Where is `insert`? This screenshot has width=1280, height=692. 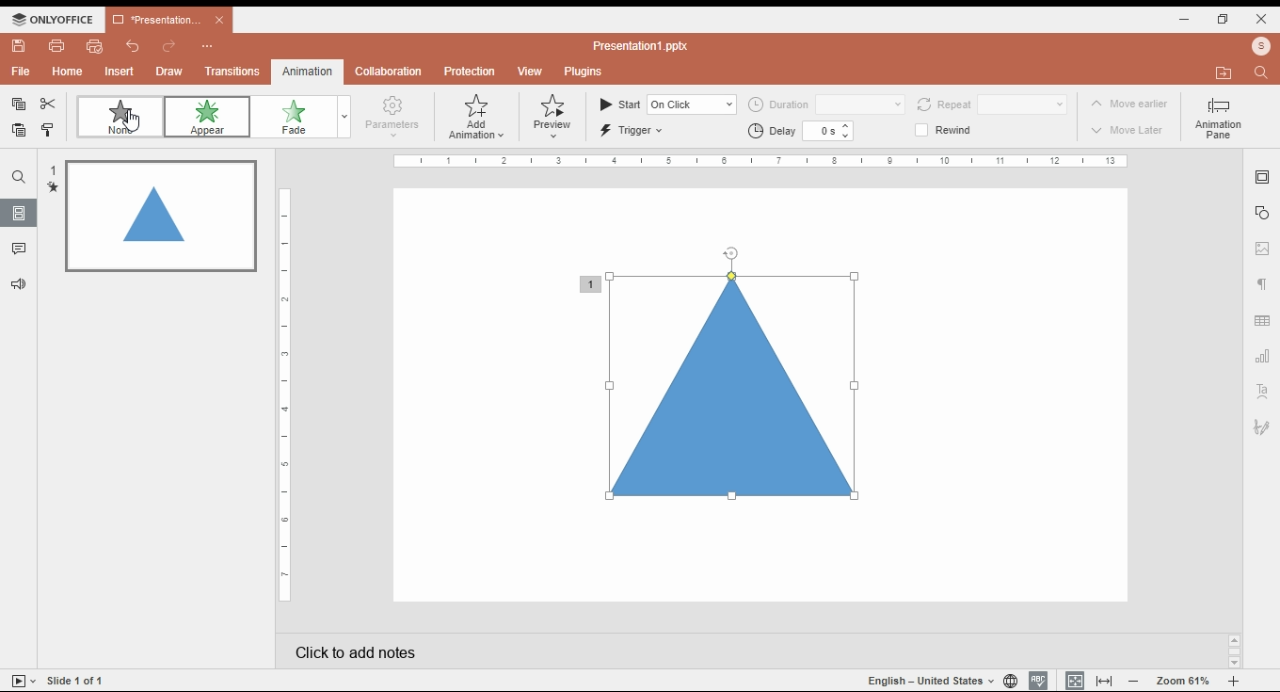
insert is located at coordinates (121, 72).